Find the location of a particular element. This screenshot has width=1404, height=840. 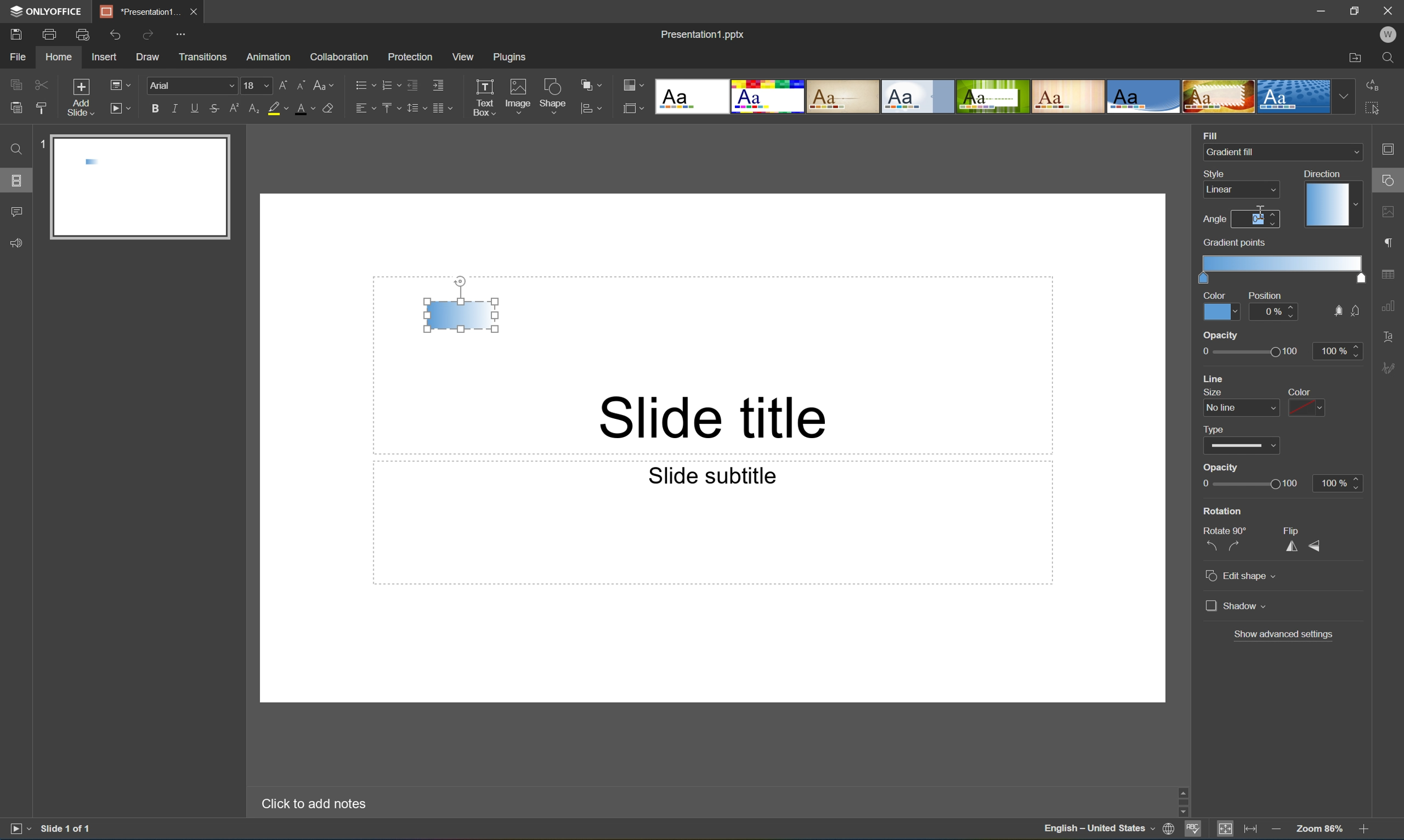

Rotate 90° is located at coordinates (1226, 529).